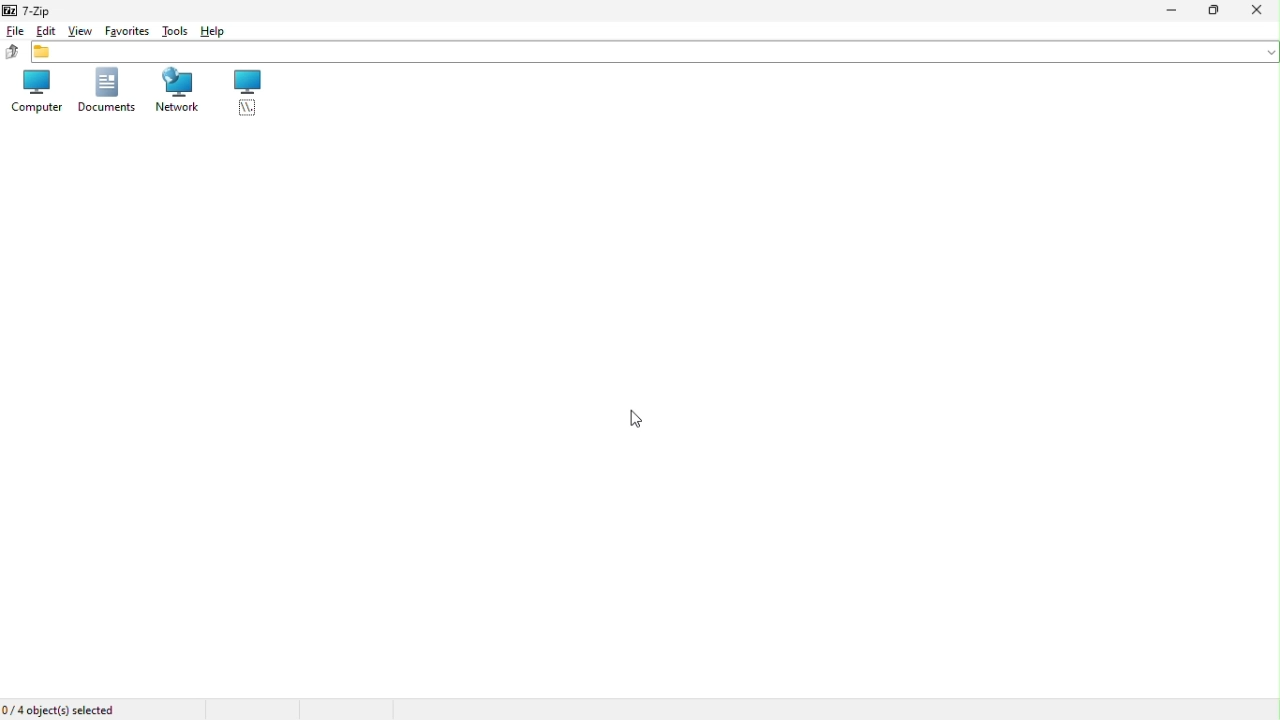 This screenshot has width=1280, height=720. Describe the element at coordinates (27, 10) in the screenshot. I see `7 zip` at that location.